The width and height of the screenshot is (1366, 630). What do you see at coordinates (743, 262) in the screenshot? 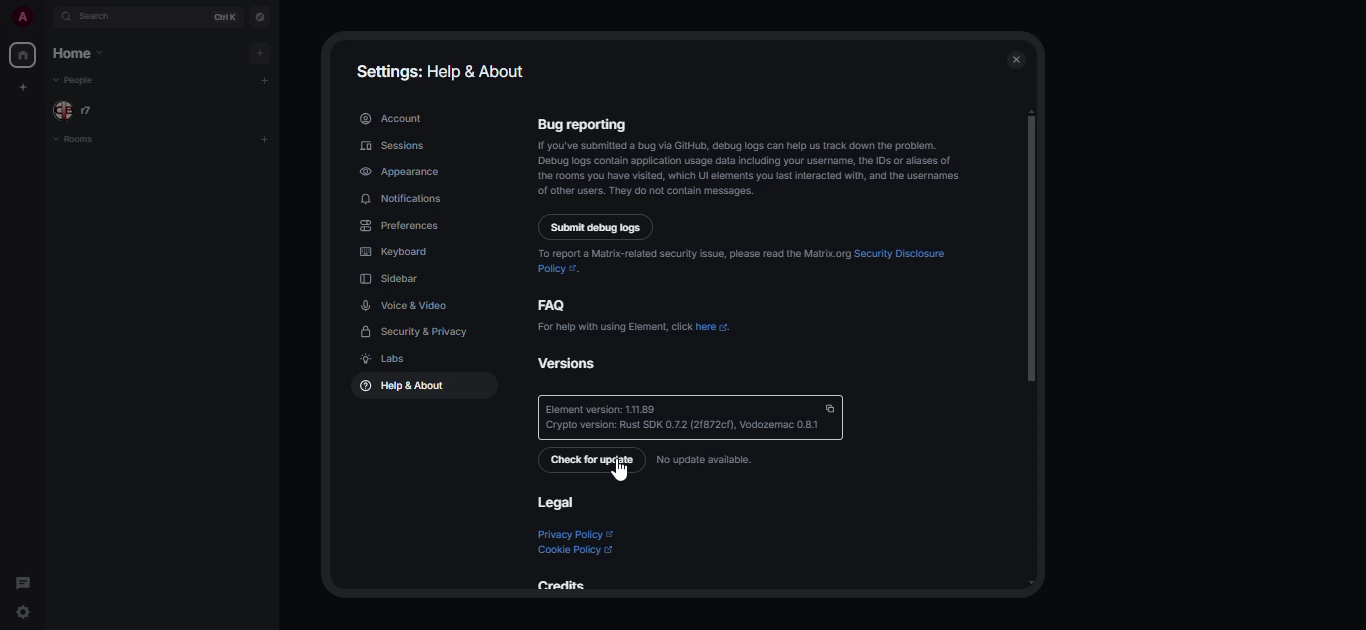
I see `To report a Matrix-related security issue, please read the Matrix.org Security Disclosure
Policy ©.` at bounding box center [743, 262].